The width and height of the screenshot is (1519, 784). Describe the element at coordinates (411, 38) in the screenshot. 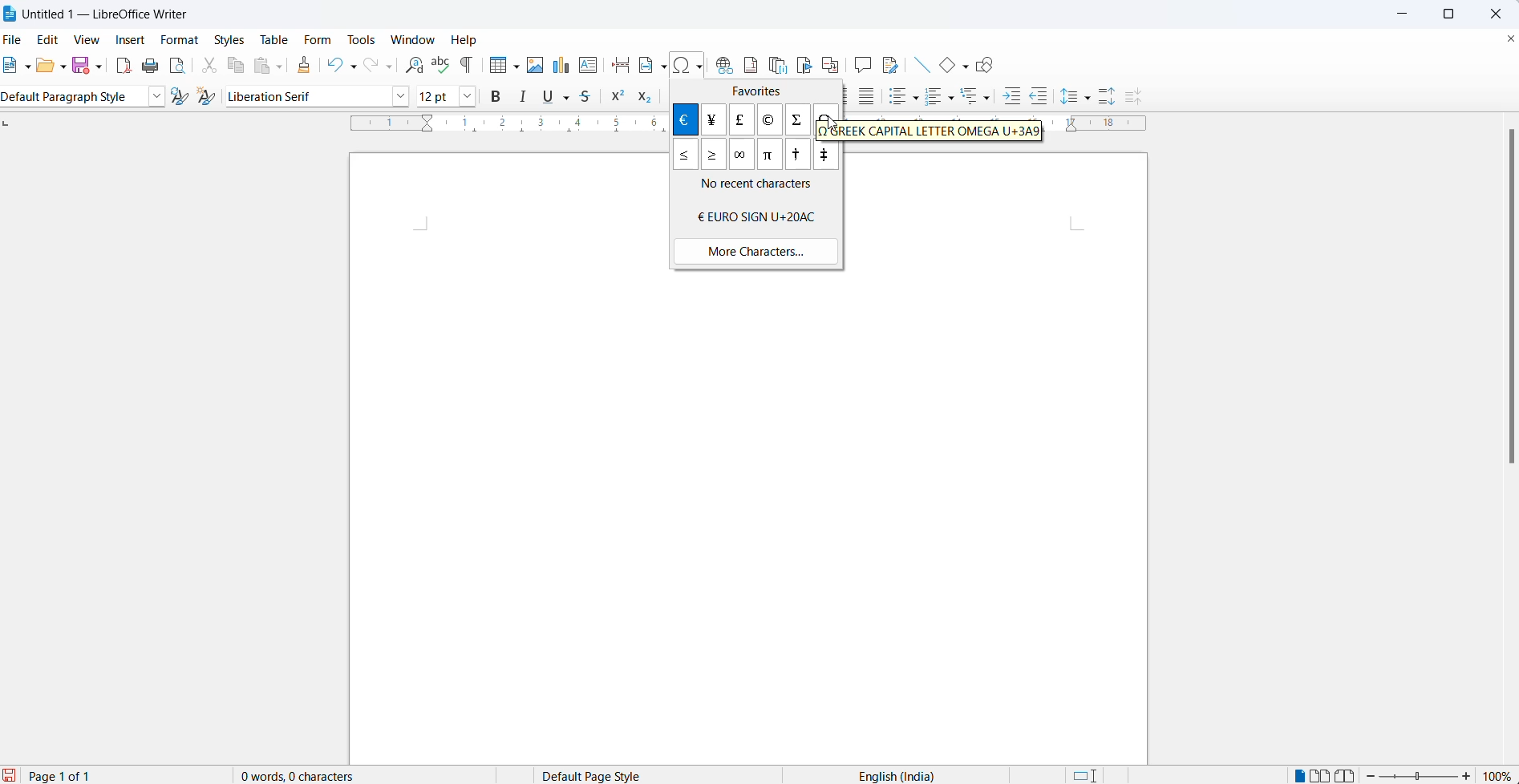

I see `window` at that location.